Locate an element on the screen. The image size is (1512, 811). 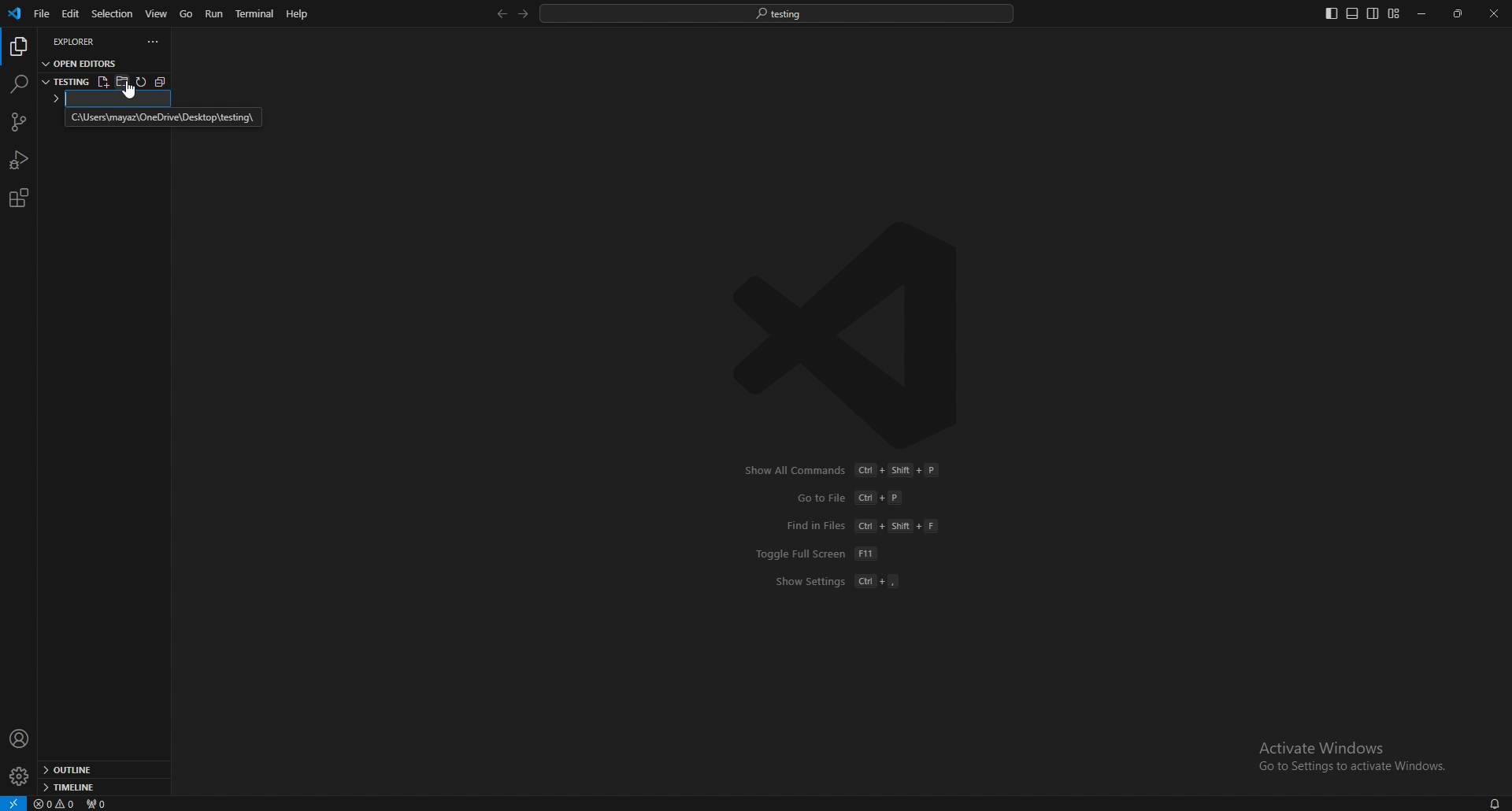
extension is located at coordinates (18, 198).